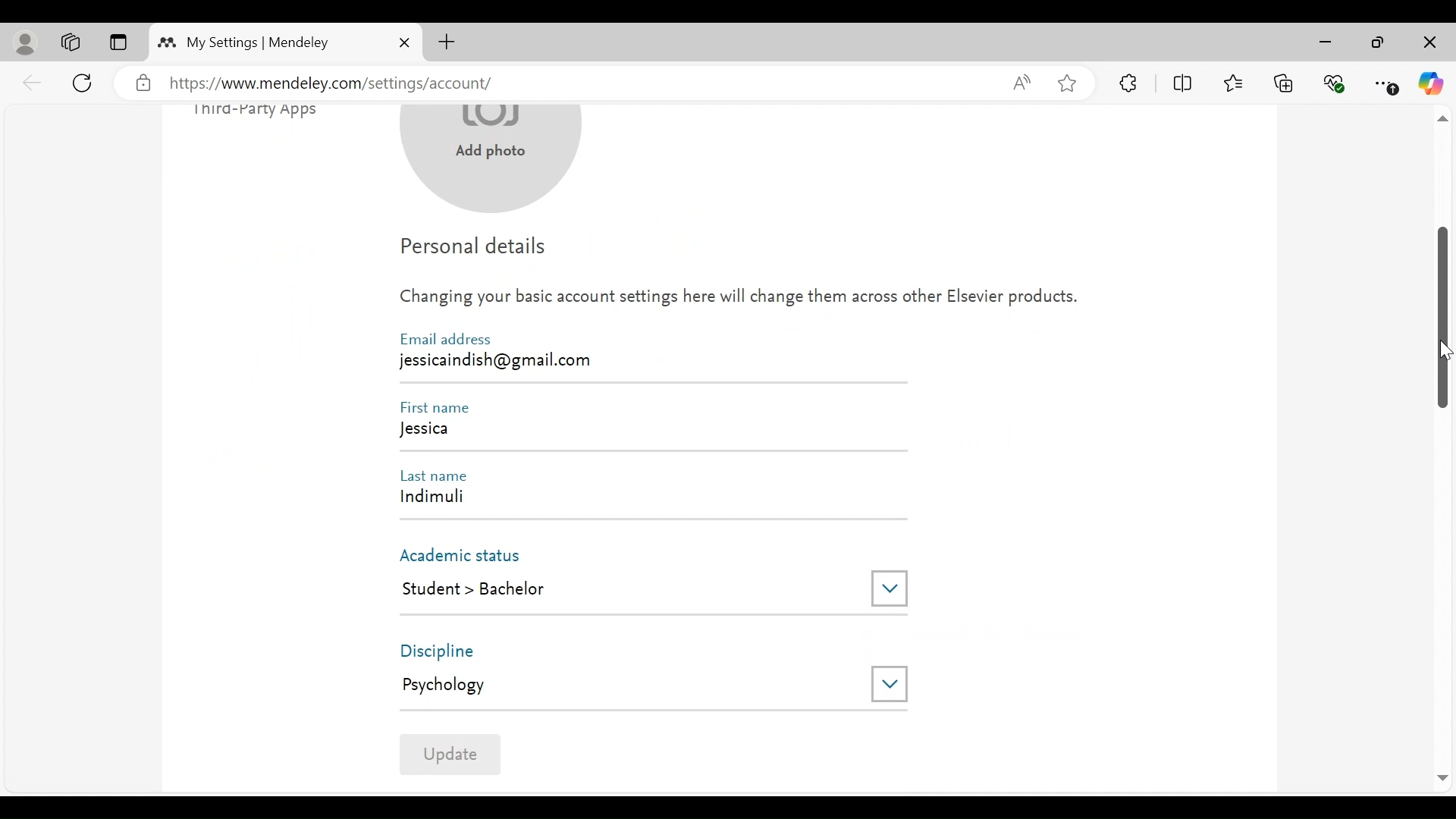 This screenshot has height=819, width=1456. I want to click on Add this page to Favorites, so click(1066, 83).